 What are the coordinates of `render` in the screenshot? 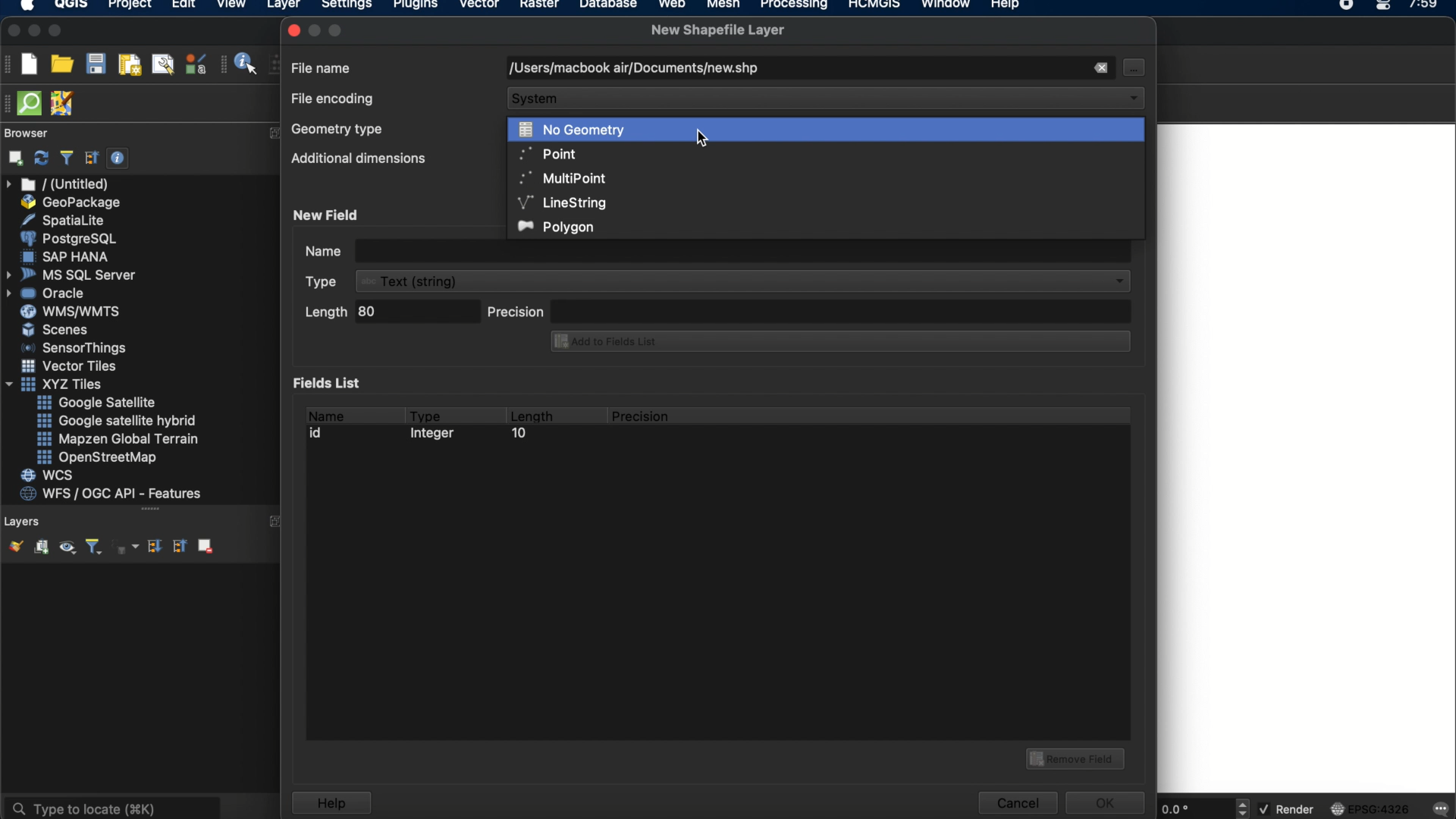 It's located at (1288, 810).